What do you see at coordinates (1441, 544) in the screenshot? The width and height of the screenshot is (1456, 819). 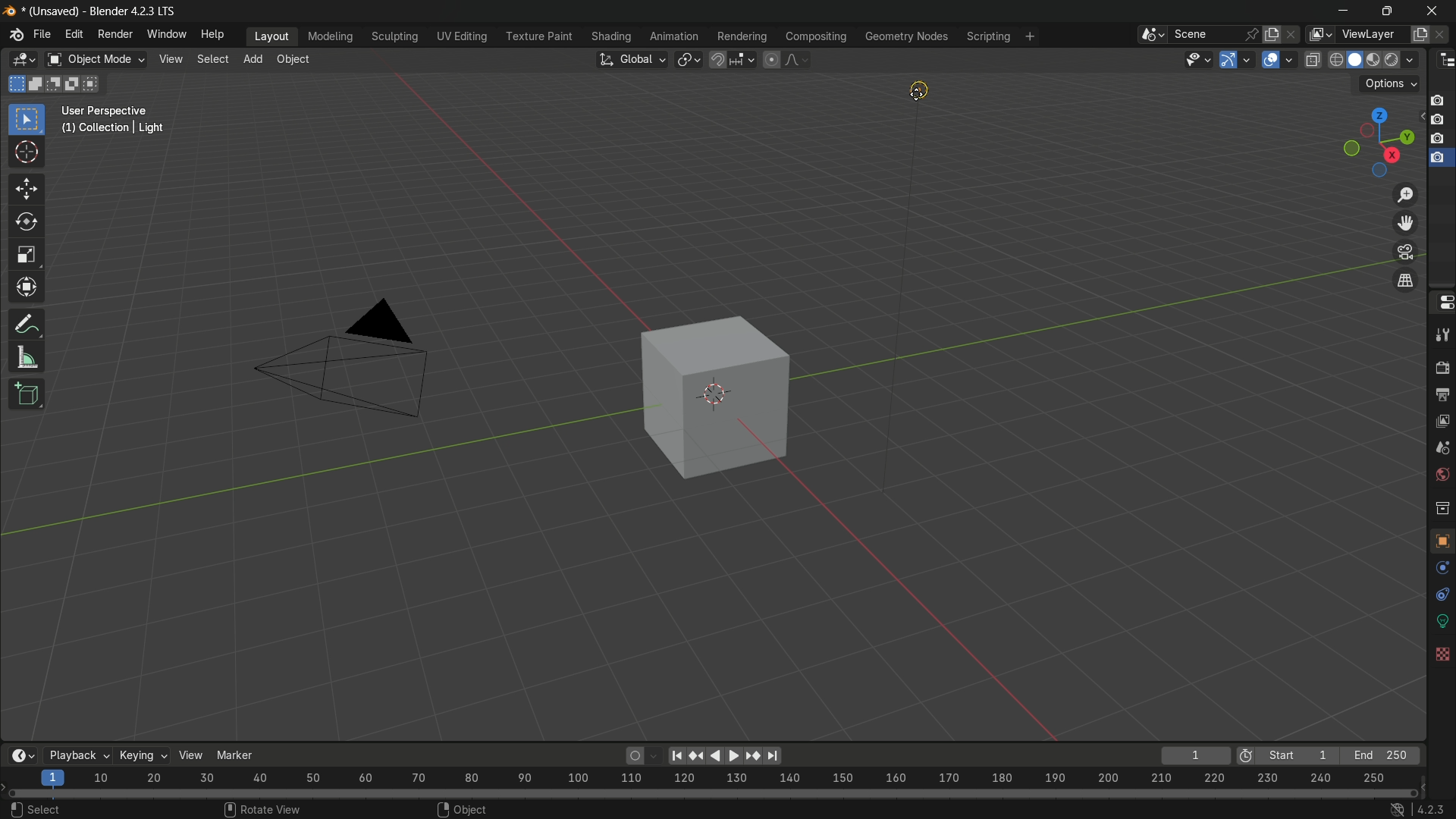 I see `object` at bounding box center [1441, 544].